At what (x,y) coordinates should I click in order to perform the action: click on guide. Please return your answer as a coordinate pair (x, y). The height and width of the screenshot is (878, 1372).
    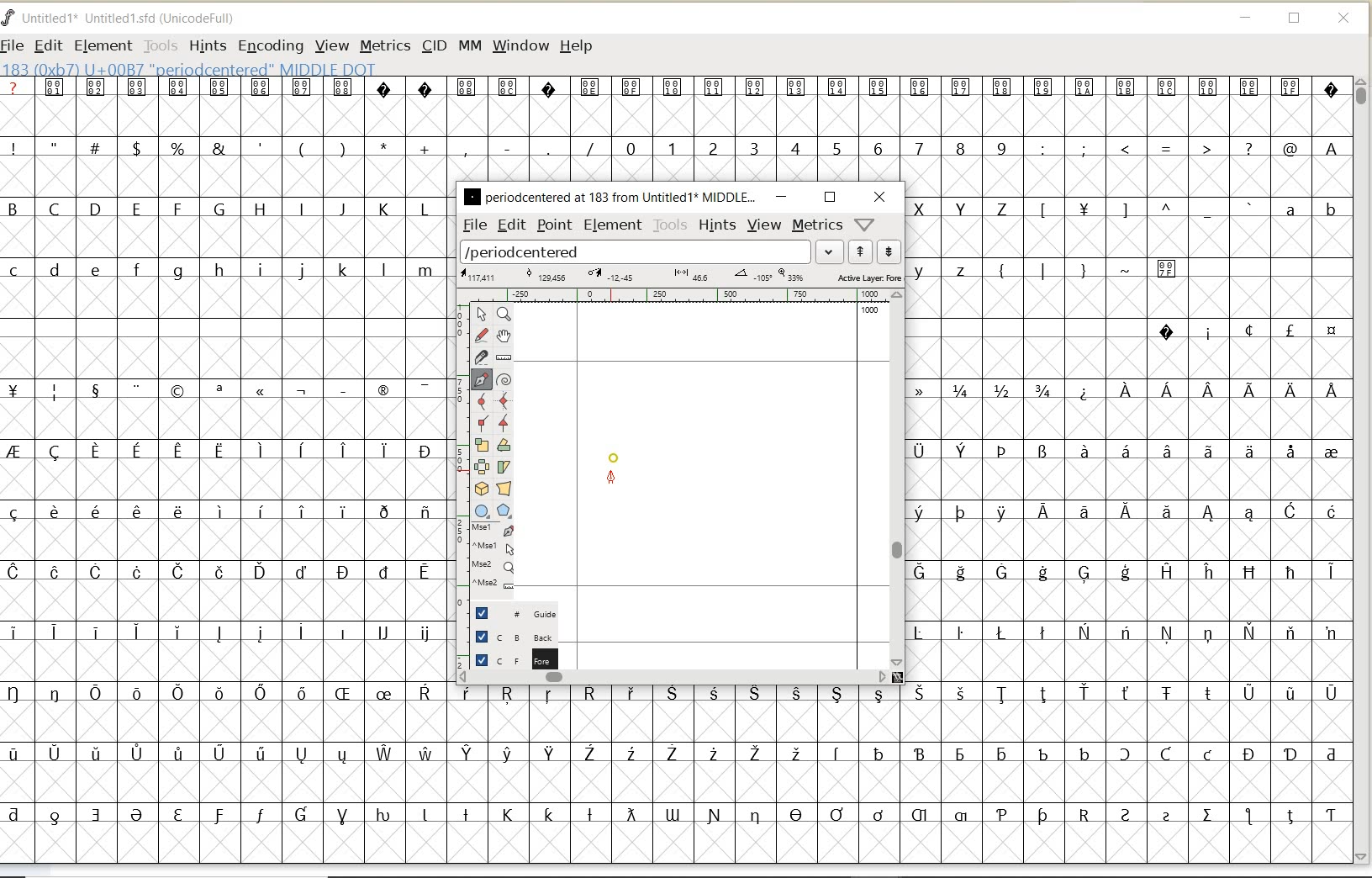
    Looking at the image, I should click on (510, 614).